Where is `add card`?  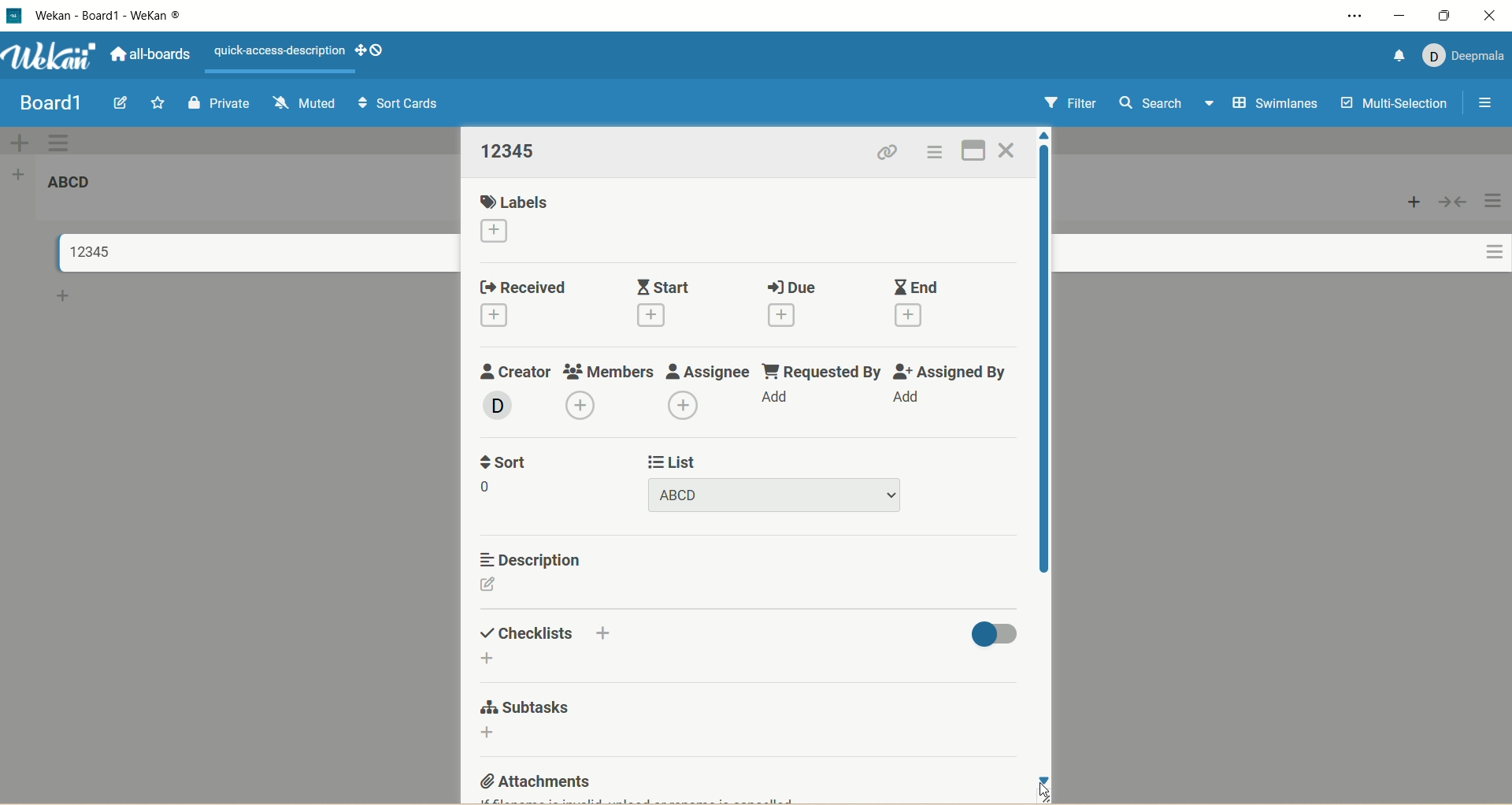
add card is located at coordinates (64, 299).